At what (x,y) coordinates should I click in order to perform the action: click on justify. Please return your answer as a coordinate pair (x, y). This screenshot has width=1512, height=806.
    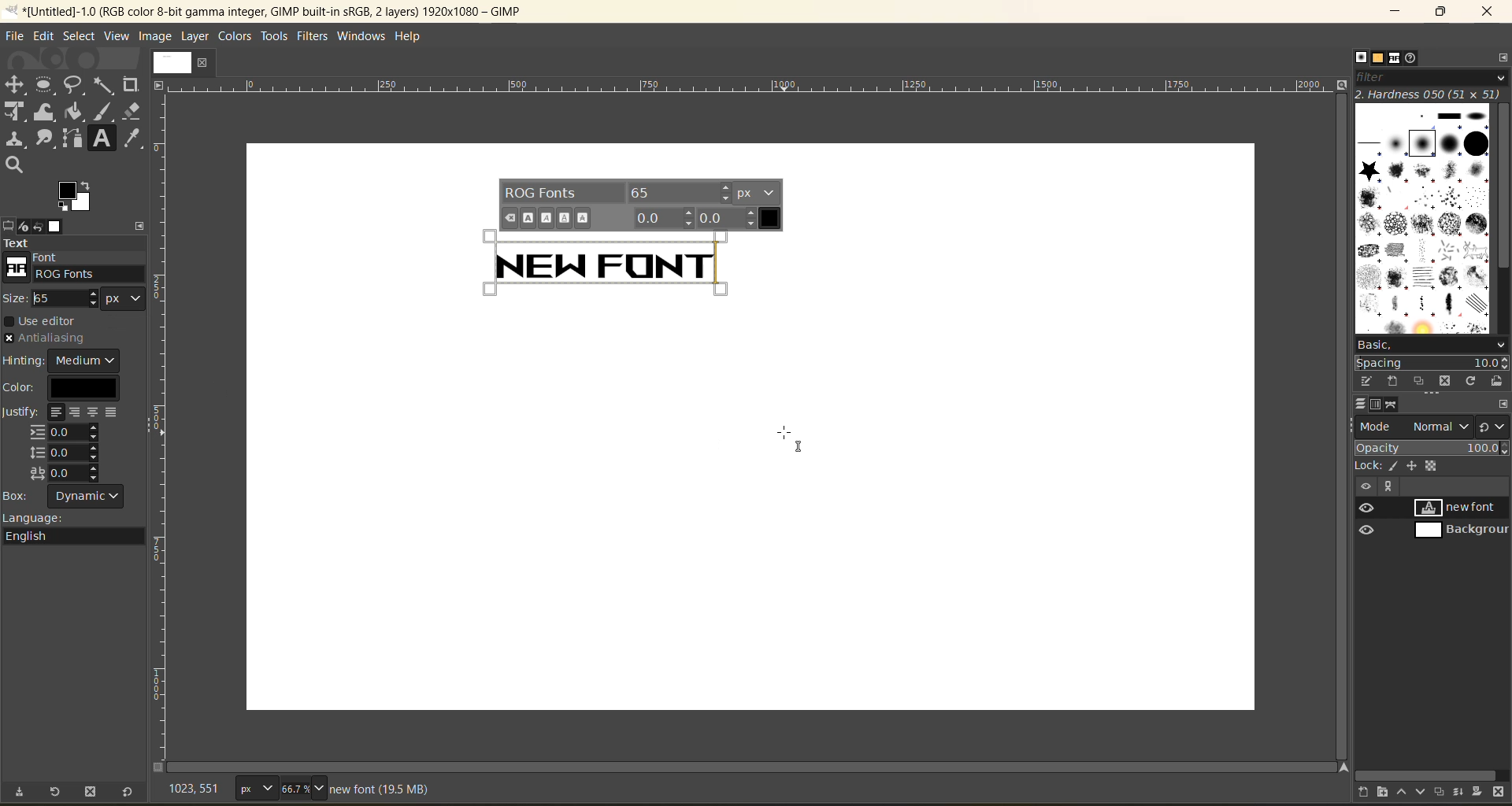
    Looking at the image, I should click on (65, 443).